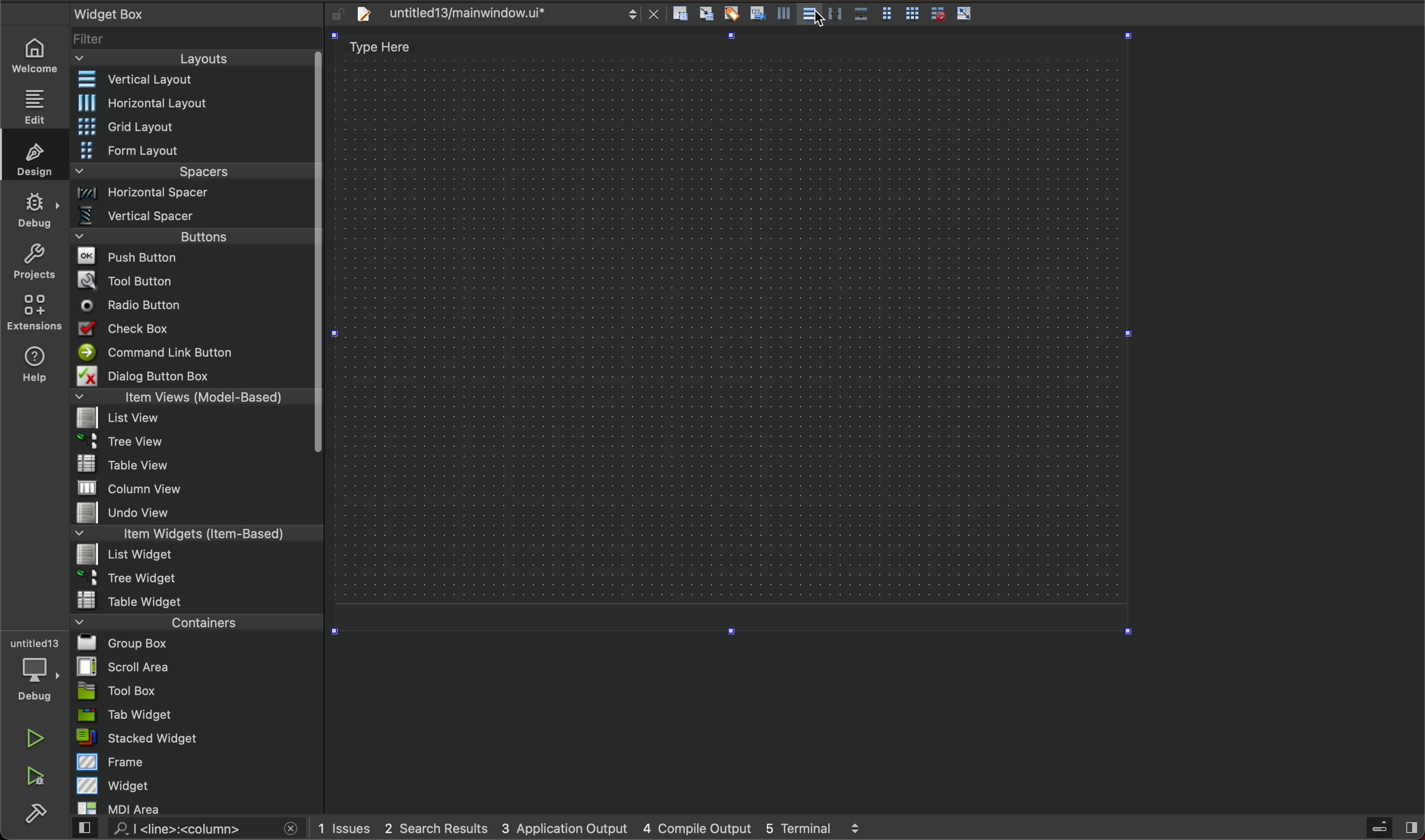  Describe the element at coordinates (194, 104) in the screenshot. I see `Horizontal layout` at that location.